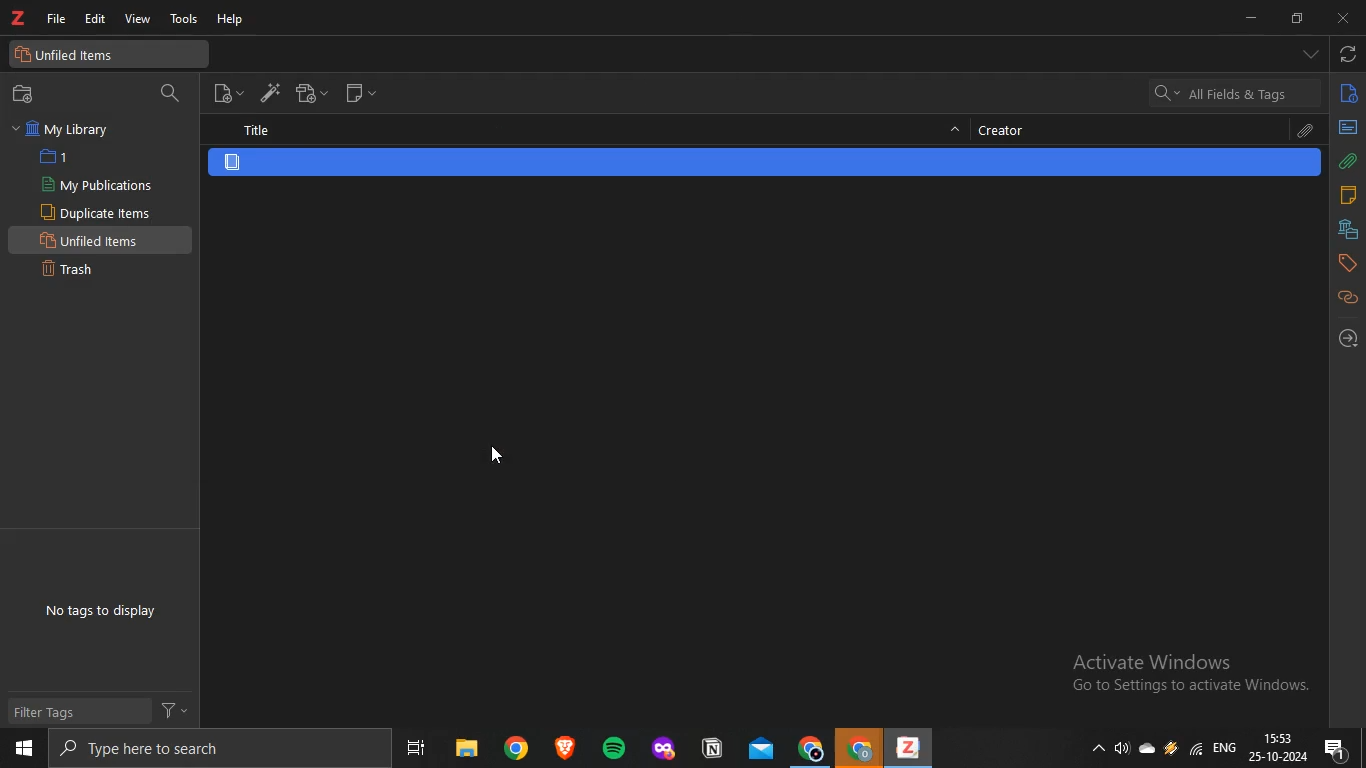 This screenshot has width=1366, height=768. I want to click on new item, so click(228, 91).